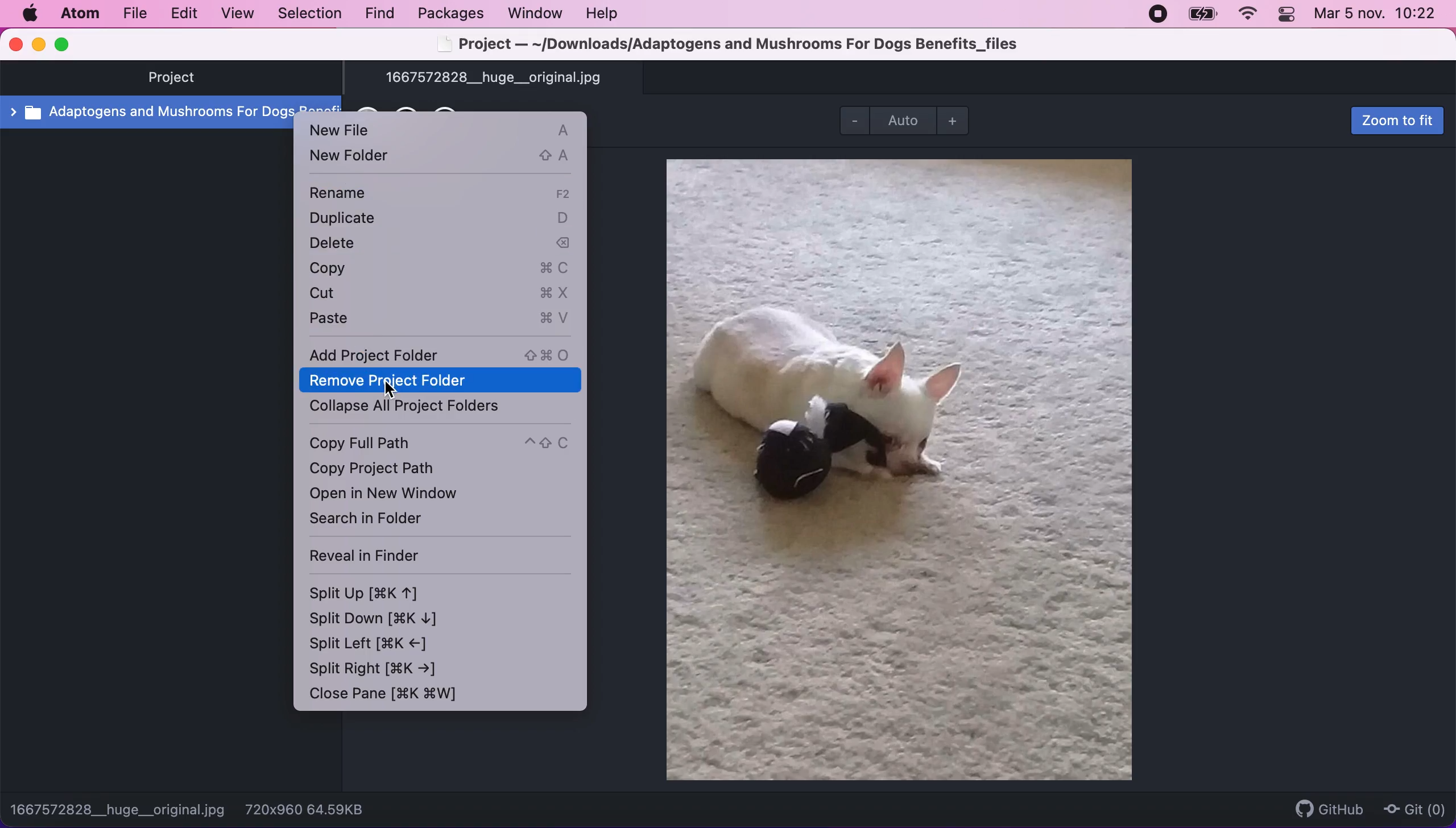  Describe the element at coordinates (16, 45) in the screenshot. I see `close` at that location.